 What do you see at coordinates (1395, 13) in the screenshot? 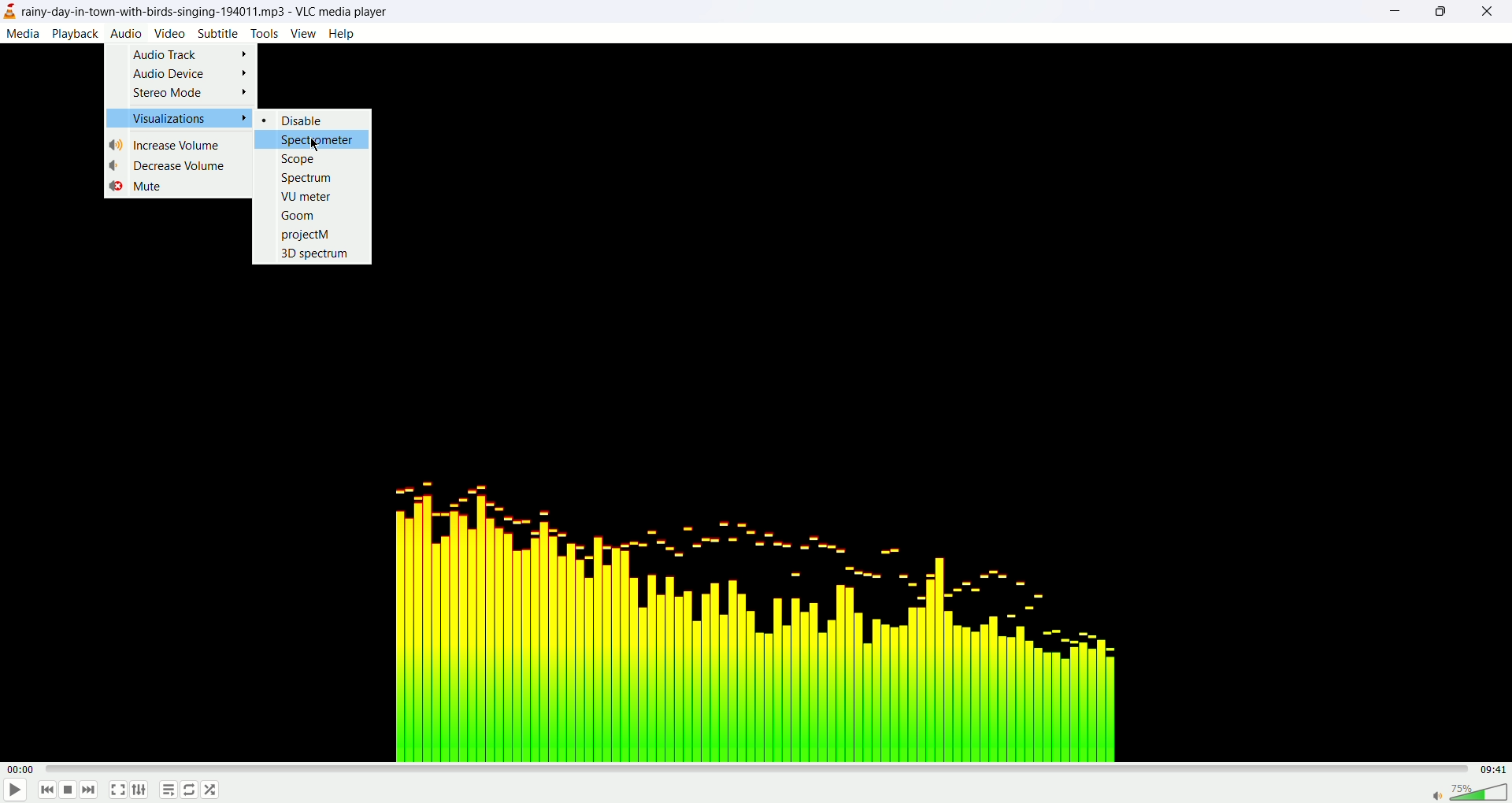
I see `minimize` at bounding box center [1395, 13].